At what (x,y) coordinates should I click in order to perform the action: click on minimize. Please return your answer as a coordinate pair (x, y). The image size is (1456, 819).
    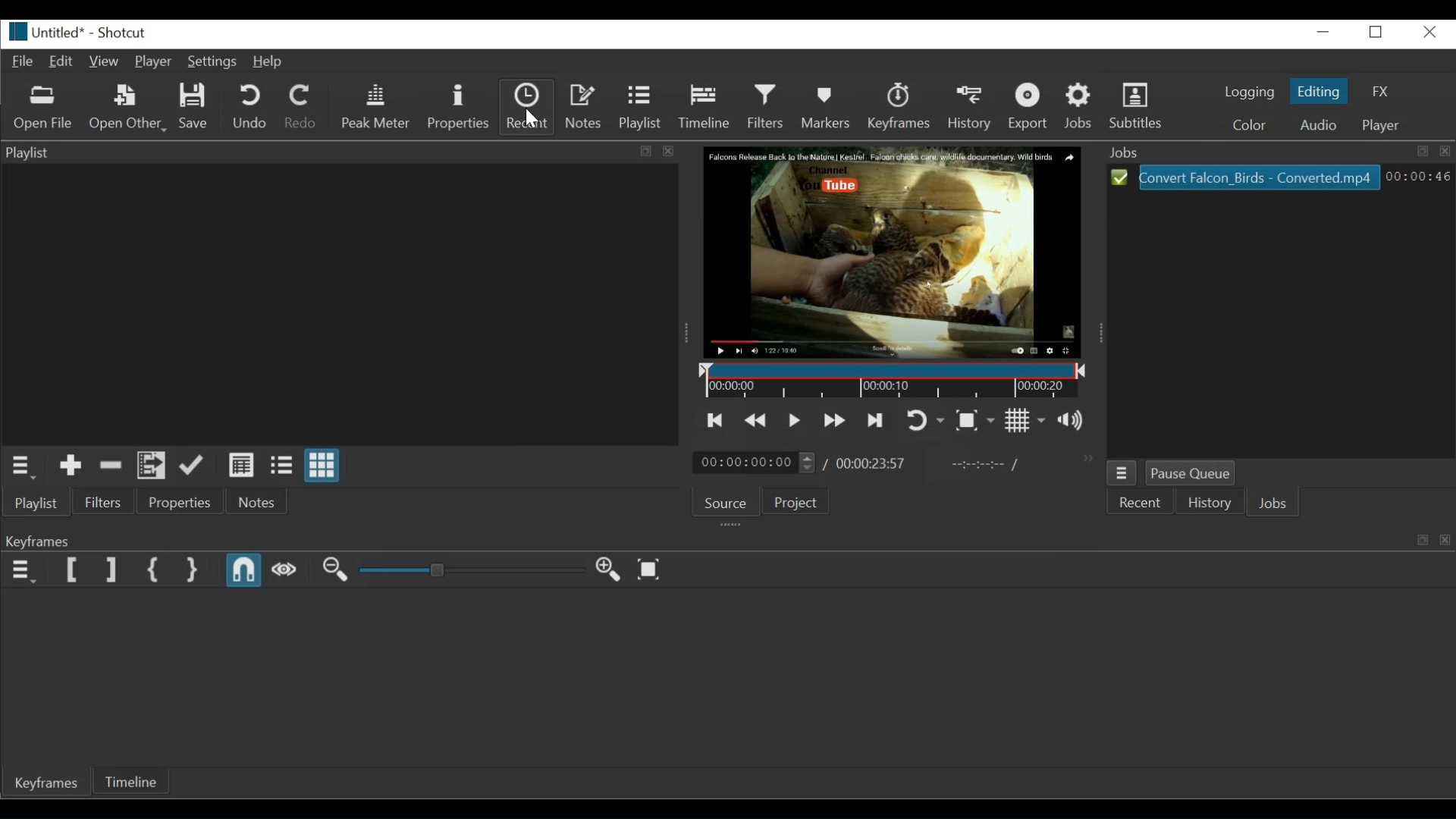
    Looking at the image, I should click on (1310, 30).